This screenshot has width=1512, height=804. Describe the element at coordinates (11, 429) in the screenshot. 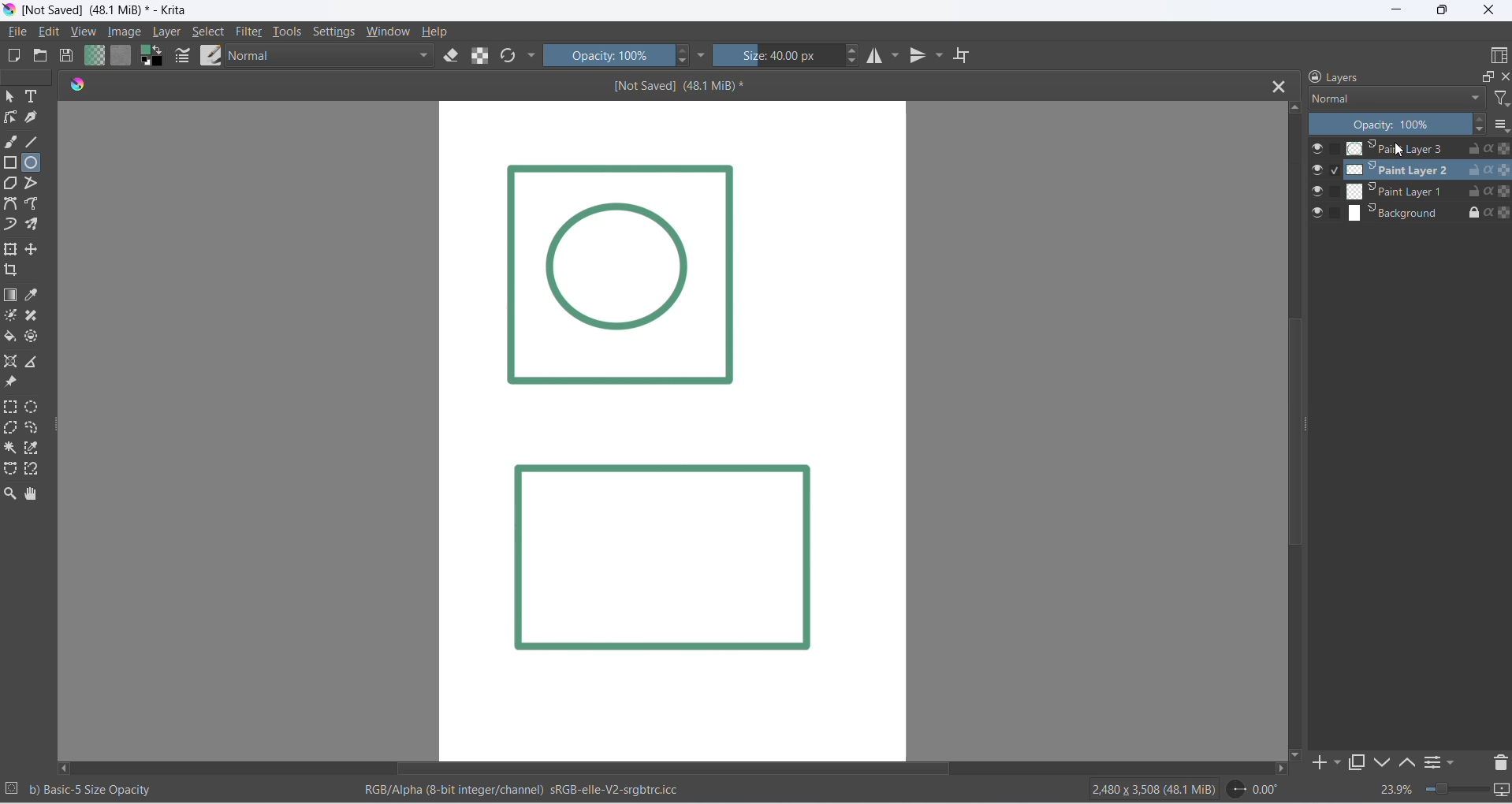

I see `polygon selection toll` at that location.